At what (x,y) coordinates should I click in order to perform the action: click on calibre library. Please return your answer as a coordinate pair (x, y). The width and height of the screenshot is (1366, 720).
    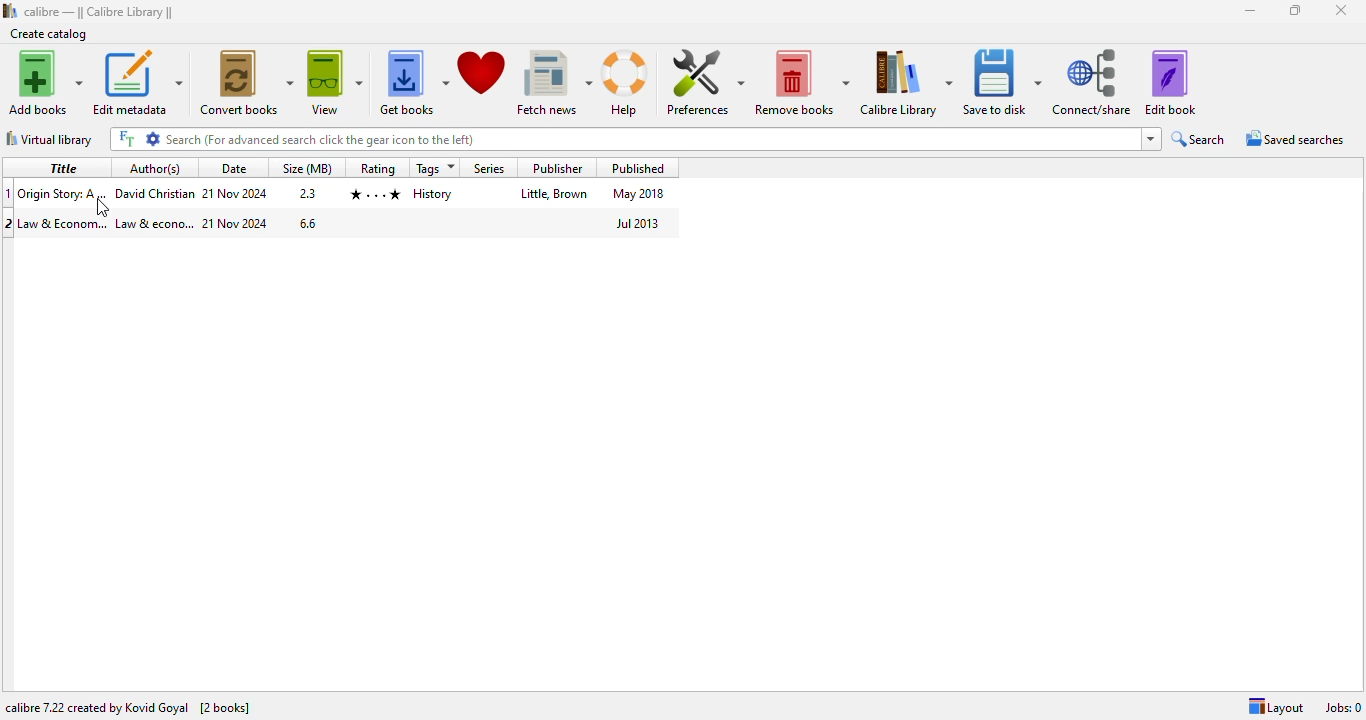
    Looking at the image, I should click on (906, 83).